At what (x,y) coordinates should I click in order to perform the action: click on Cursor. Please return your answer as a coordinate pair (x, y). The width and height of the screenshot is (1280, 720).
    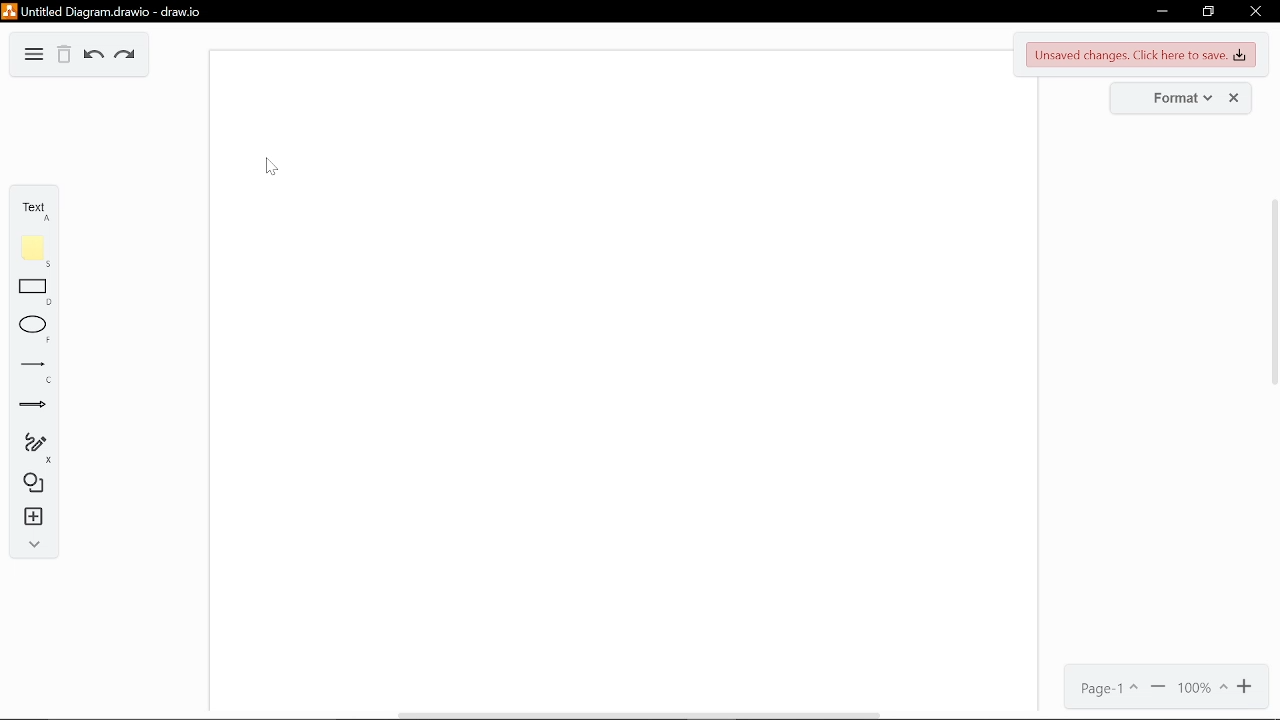
    Looking at the image, I should click on (272, 166).